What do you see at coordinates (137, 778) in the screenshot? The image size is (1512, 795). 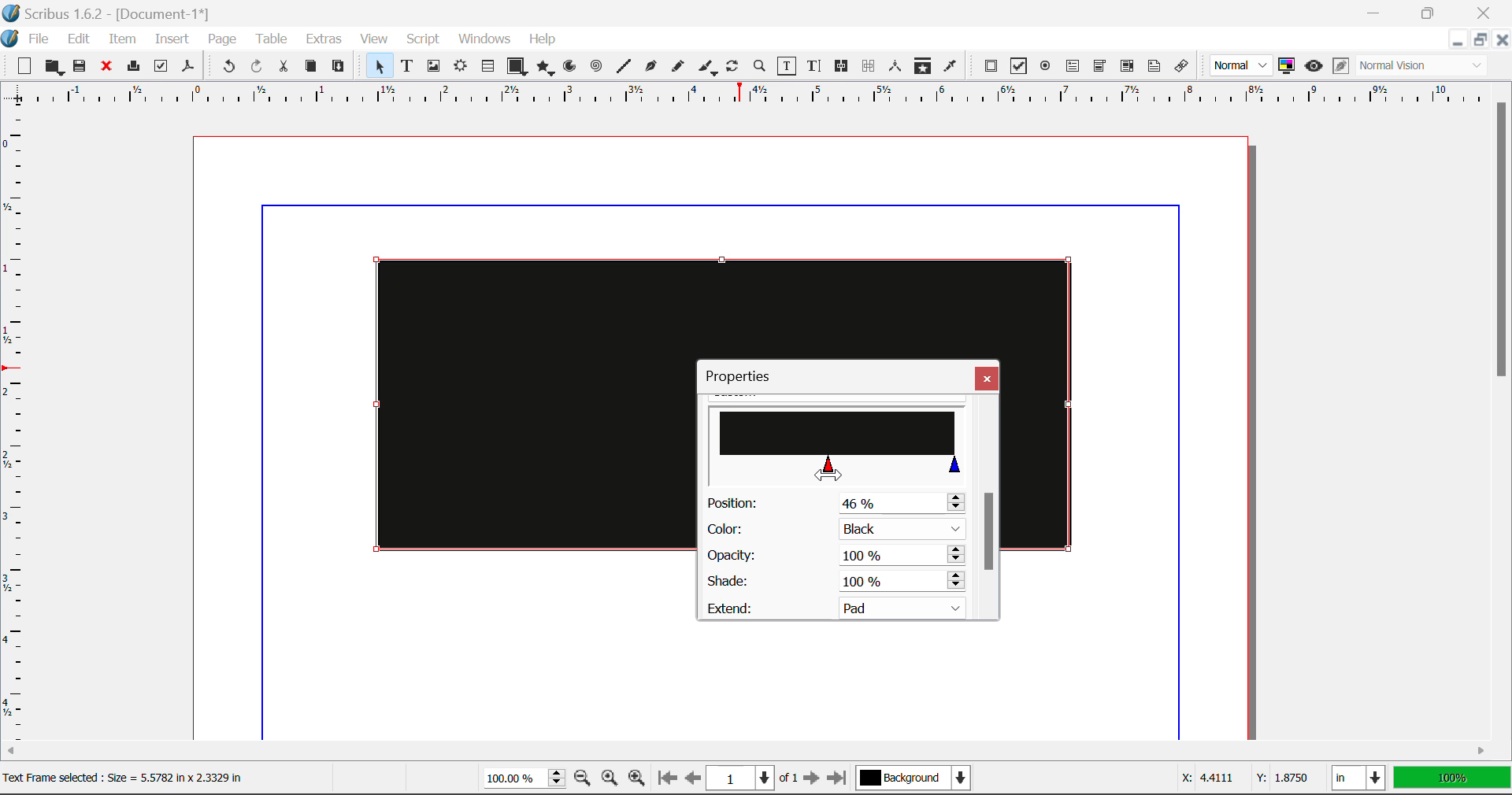 I see `Text Frame selected : Size = 5.5782 in x 2.3329 in` at bounding box center [137, 778].